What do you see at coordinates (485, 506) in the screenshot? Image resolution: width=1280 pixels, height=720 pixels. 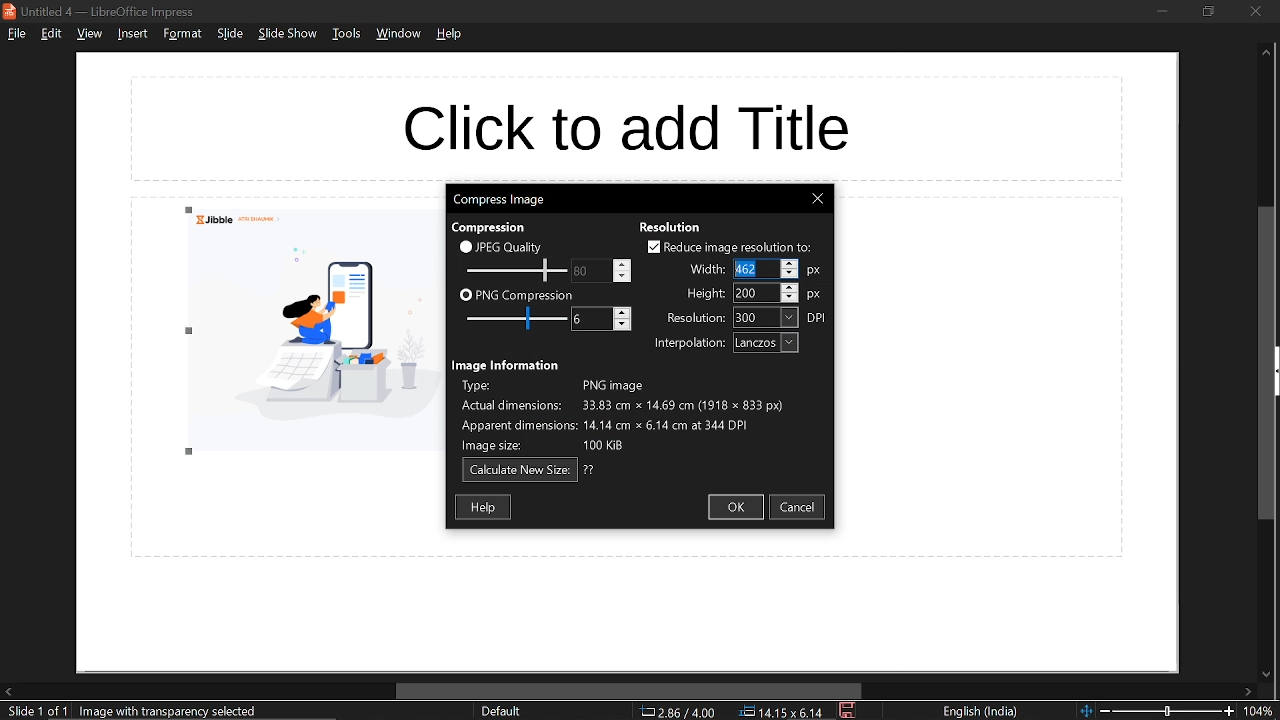 I see `help` at bounding box center [485, 506].